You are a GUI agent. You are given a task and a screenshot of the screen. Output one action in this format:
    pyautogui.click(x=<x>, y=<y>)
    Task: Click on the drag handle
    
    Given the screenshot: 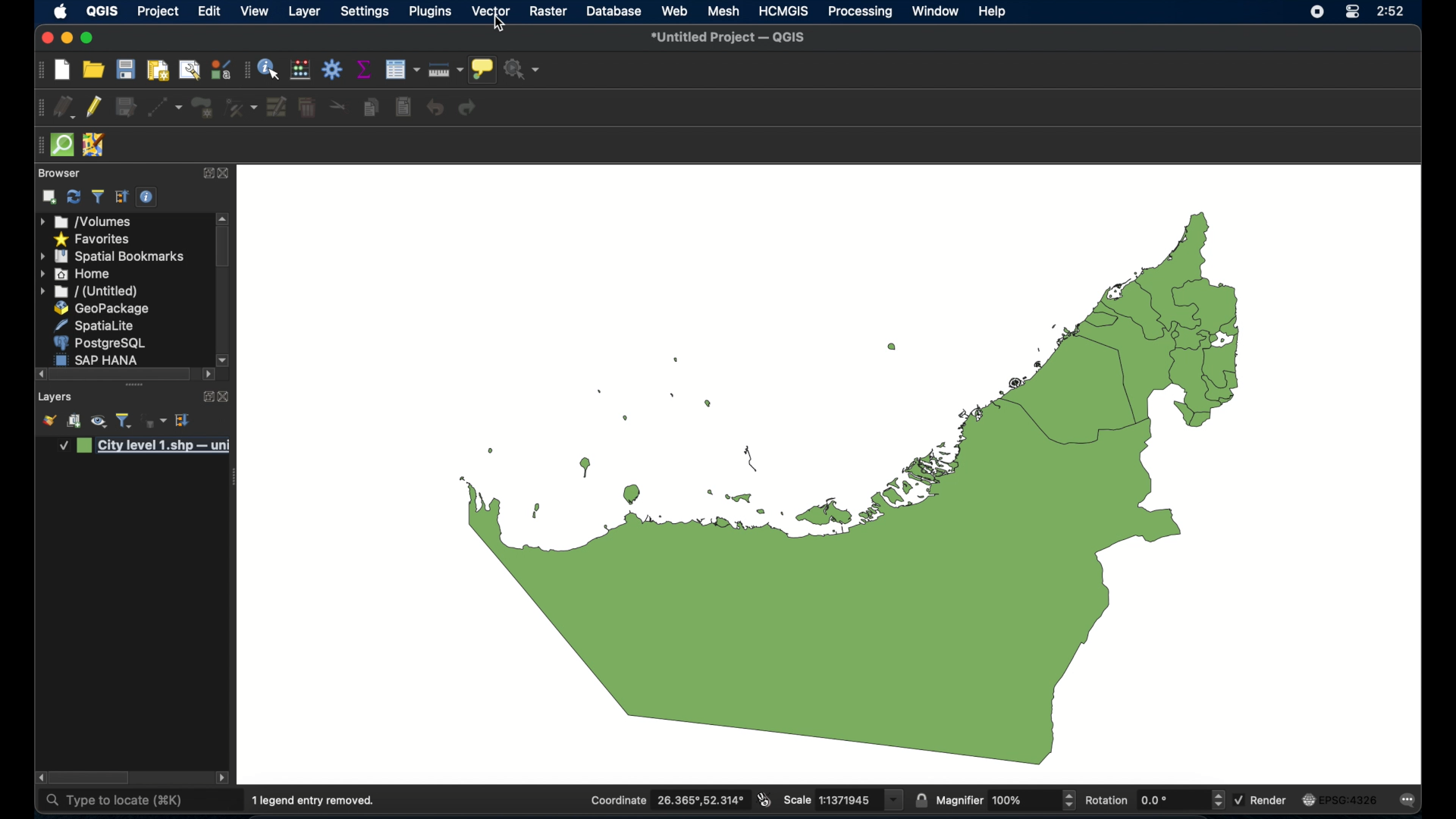 What is the action you would take?
    pyautogui.click(x=237, y=476)
    